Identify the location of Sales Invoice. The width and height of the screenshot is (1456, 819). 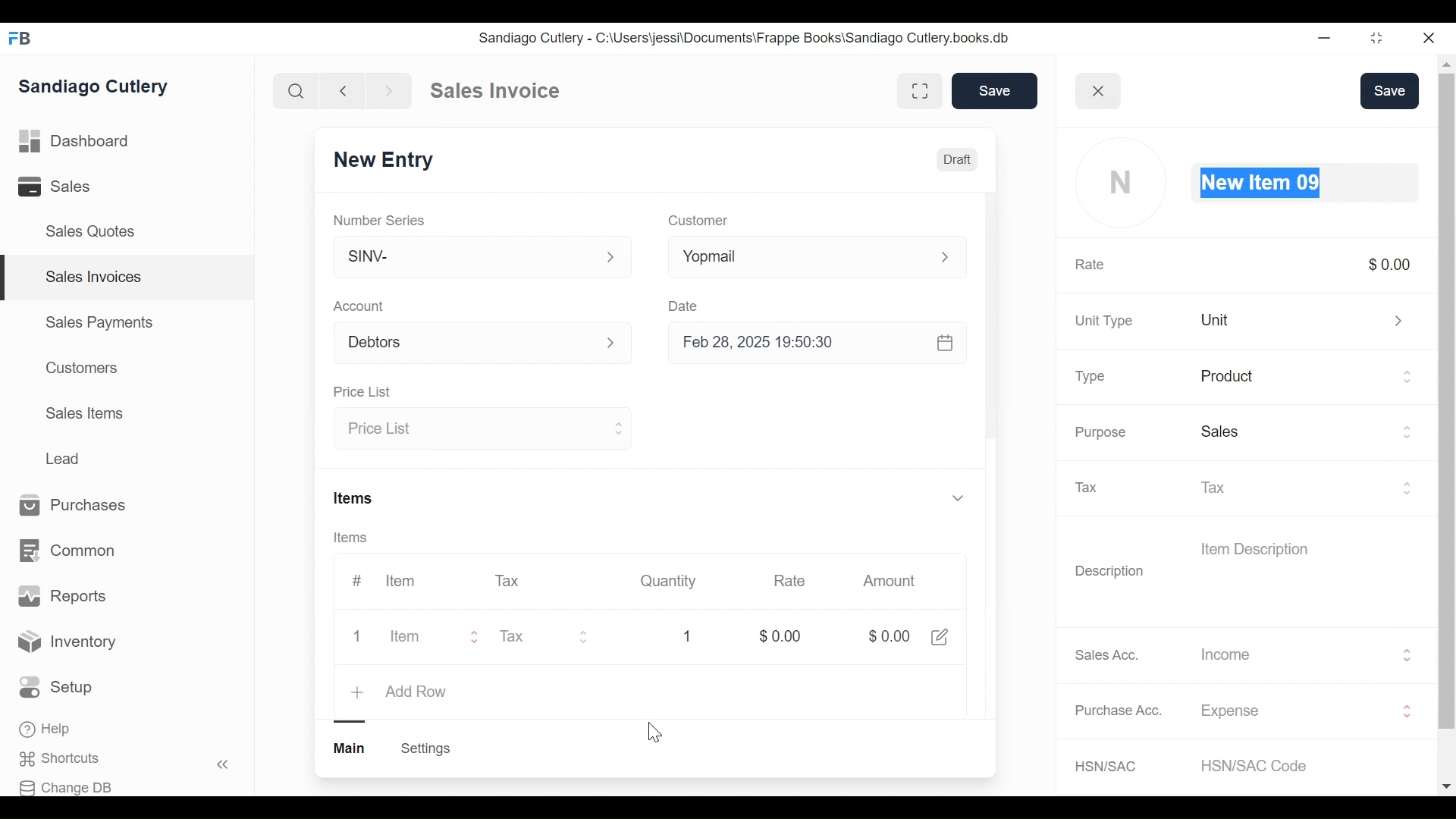
(494, 91).